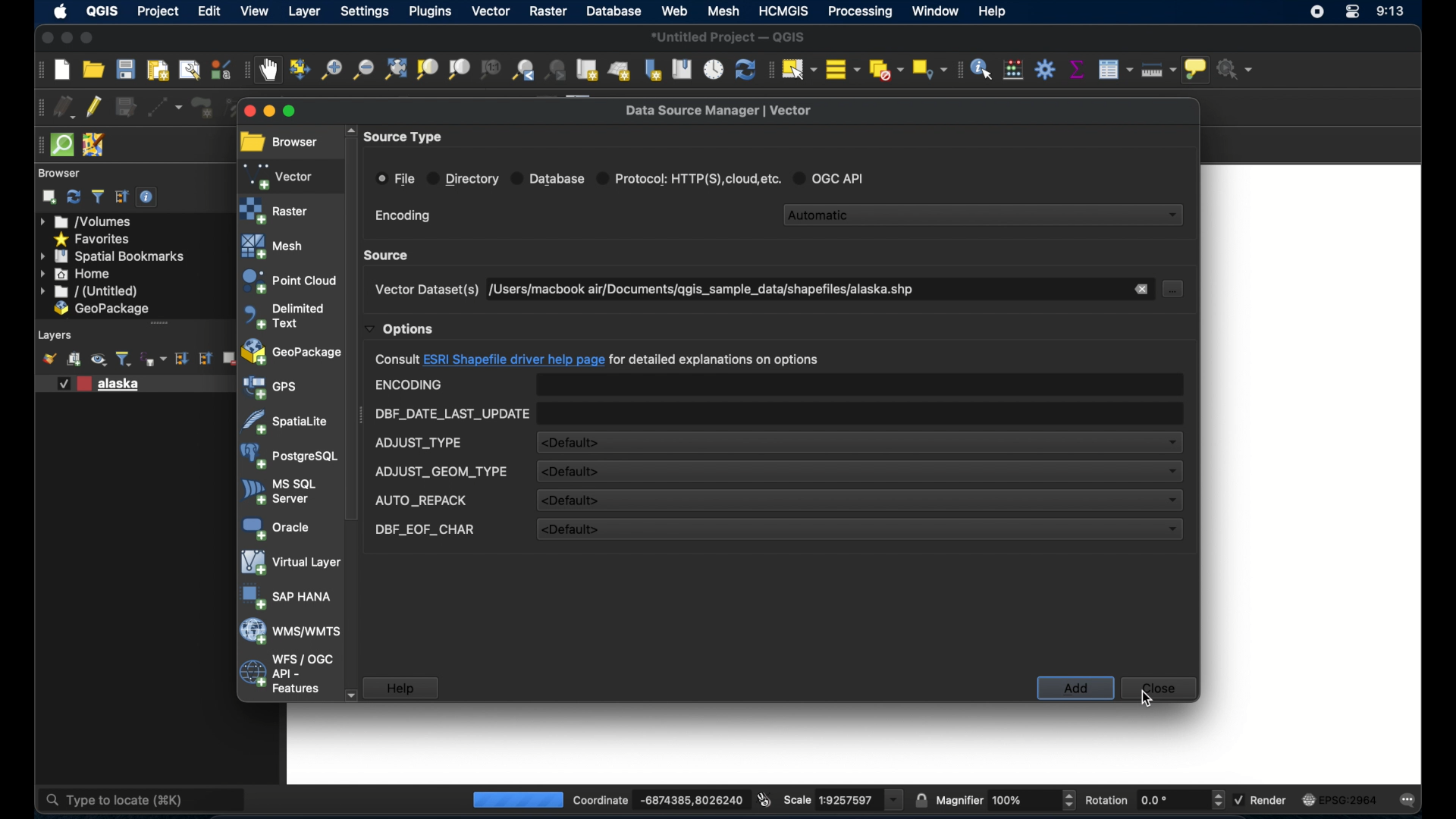  I want to click on encoding, so click(403, 216).